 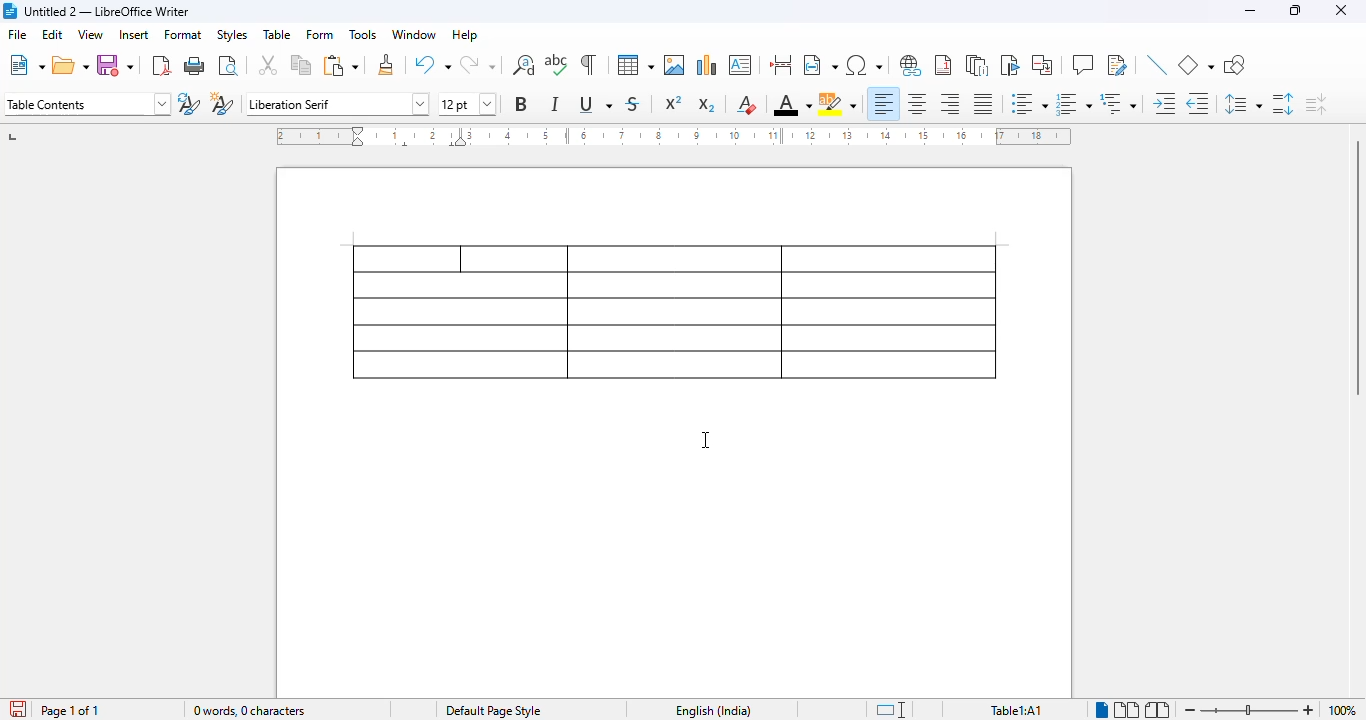 What do you see at coordinates (1354, 267) in the screenshot?
I see `vertical scroll bar` at bounding box center [1354, 267].